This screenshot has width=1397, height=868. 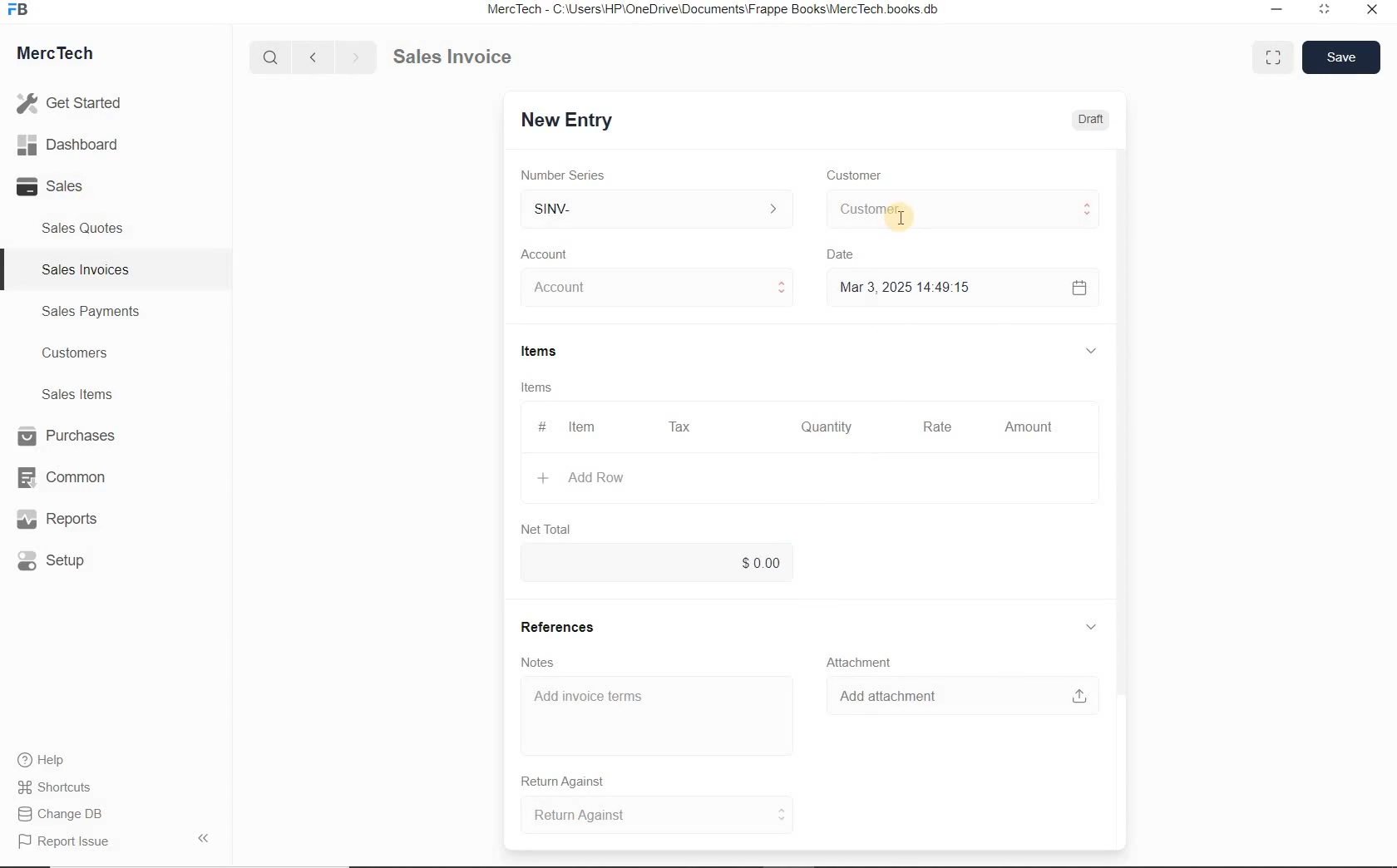 What do you see at coordinates (1089, 350) in the screenshot?
I see `hide sub menu` at bounding box center [1089, 350].